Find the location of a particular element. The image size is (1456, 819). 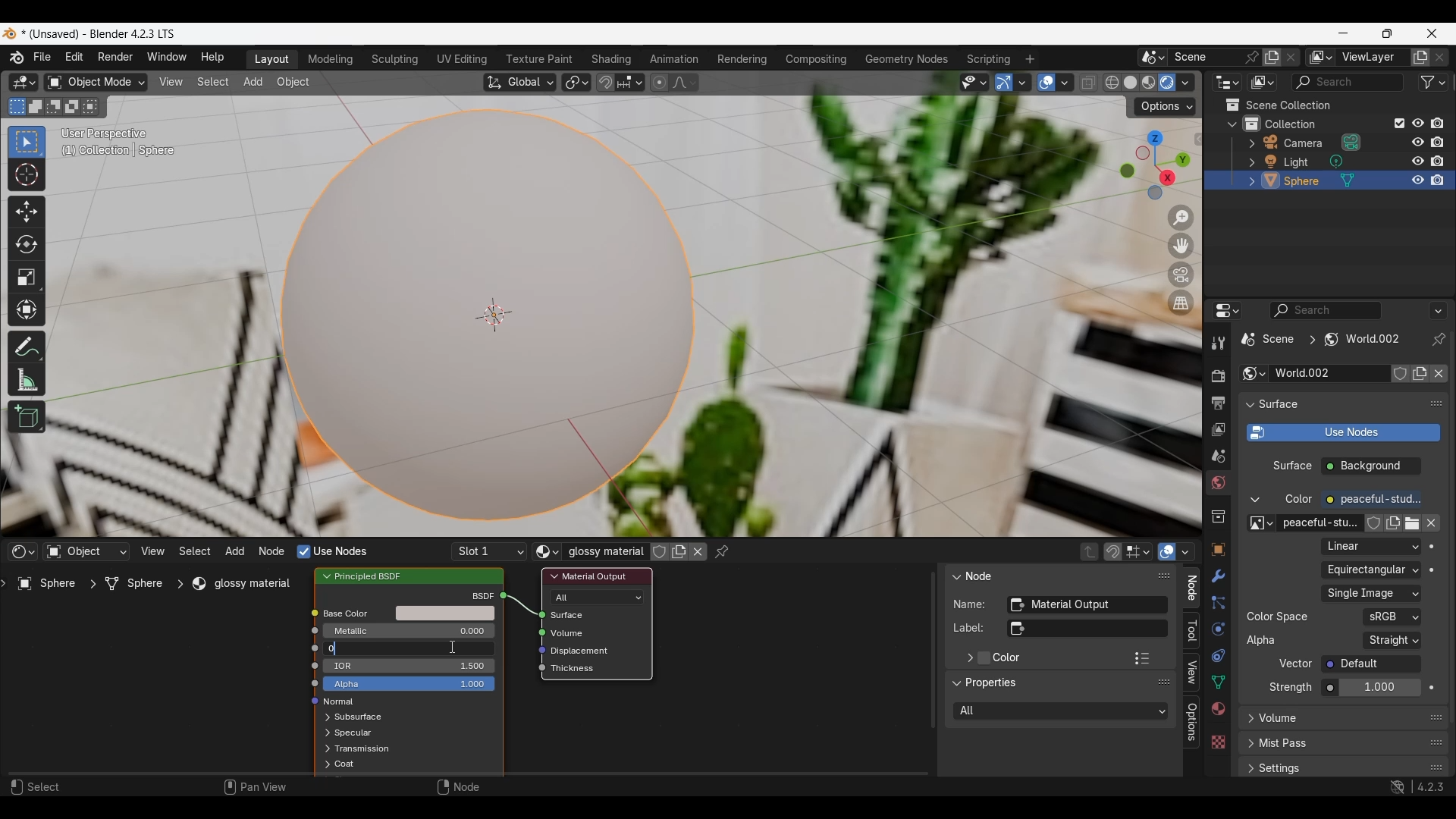

Subtract existing selection is located at coordinates (54, 107).